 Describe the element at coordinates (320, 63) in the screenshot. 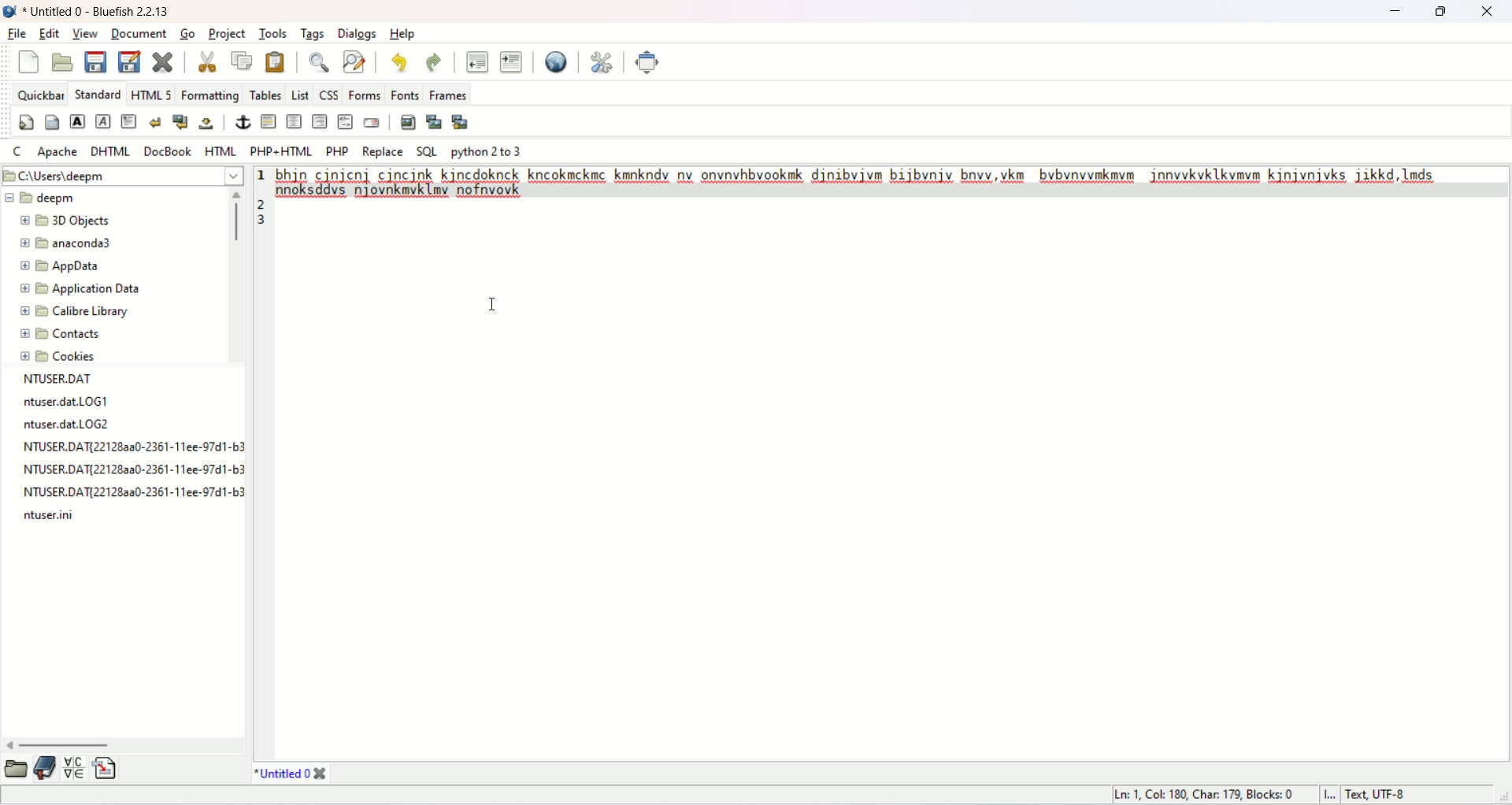

I see `show find bar` at that location.